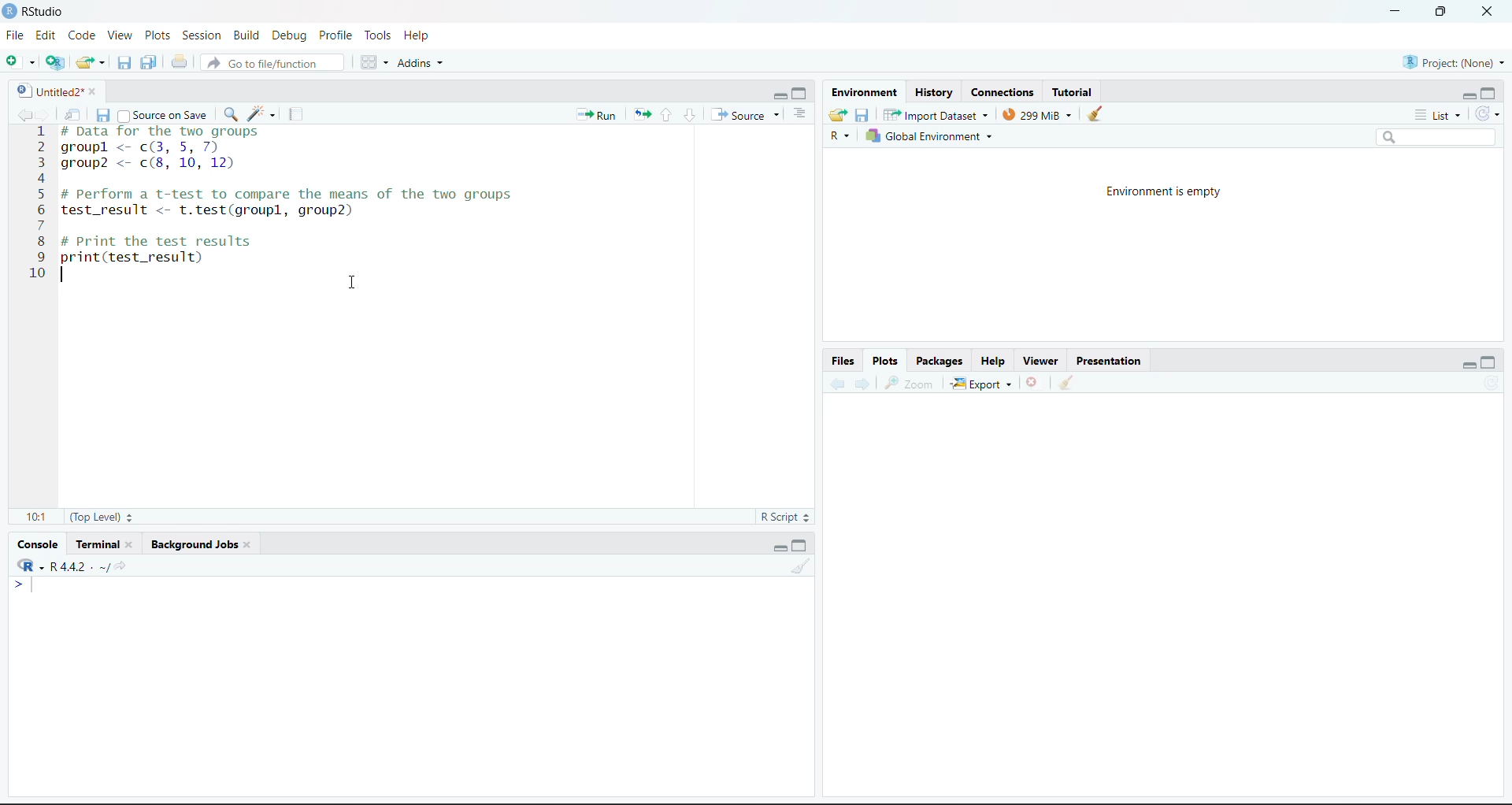 The height and width of the screenshot is (805, 1512). Describe the element at coordinates (294, 113) in the screenshot. I see `compile report` at that location.